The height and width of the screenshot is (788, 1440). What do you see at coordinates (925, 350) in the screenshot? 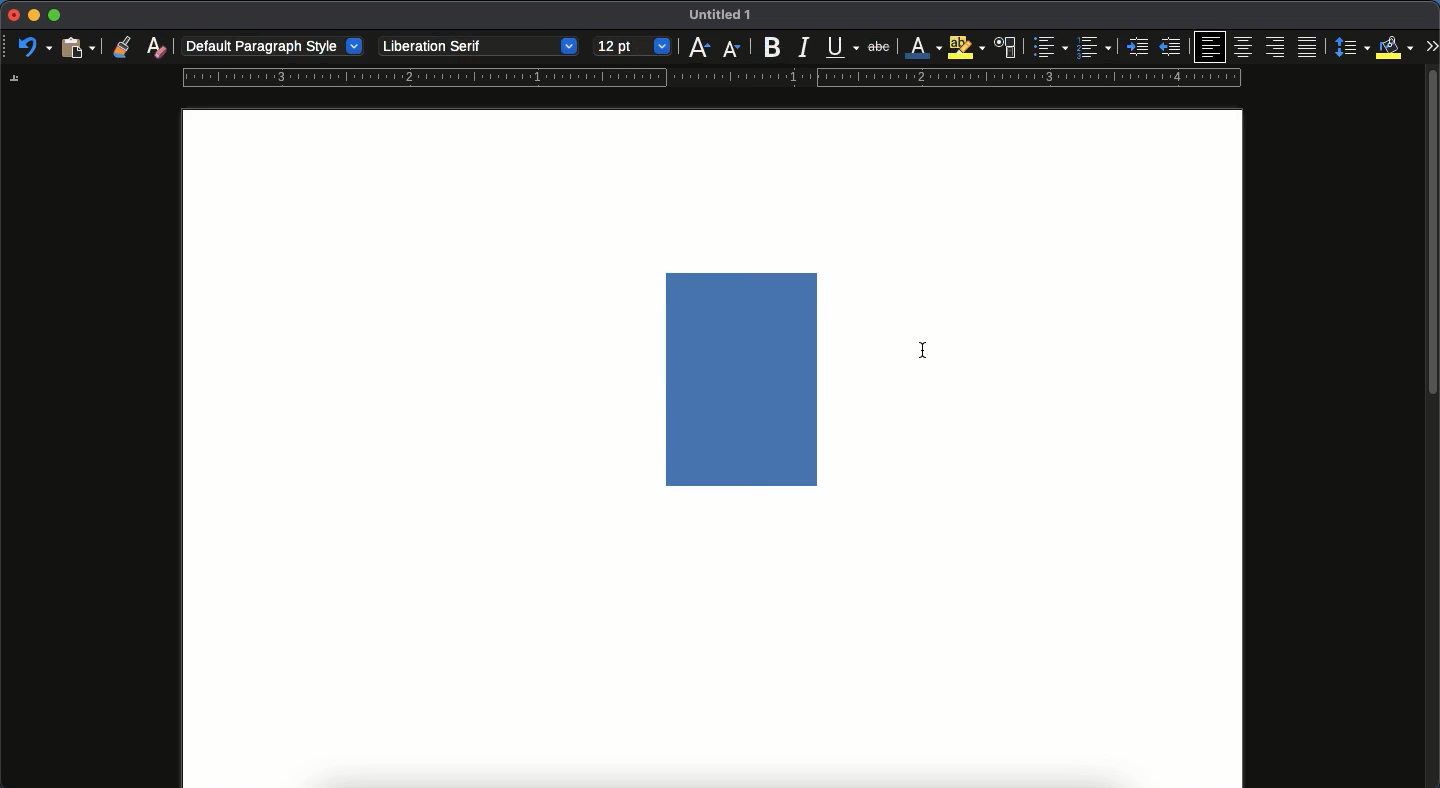
I see `click` at bounding box center [925, 350].